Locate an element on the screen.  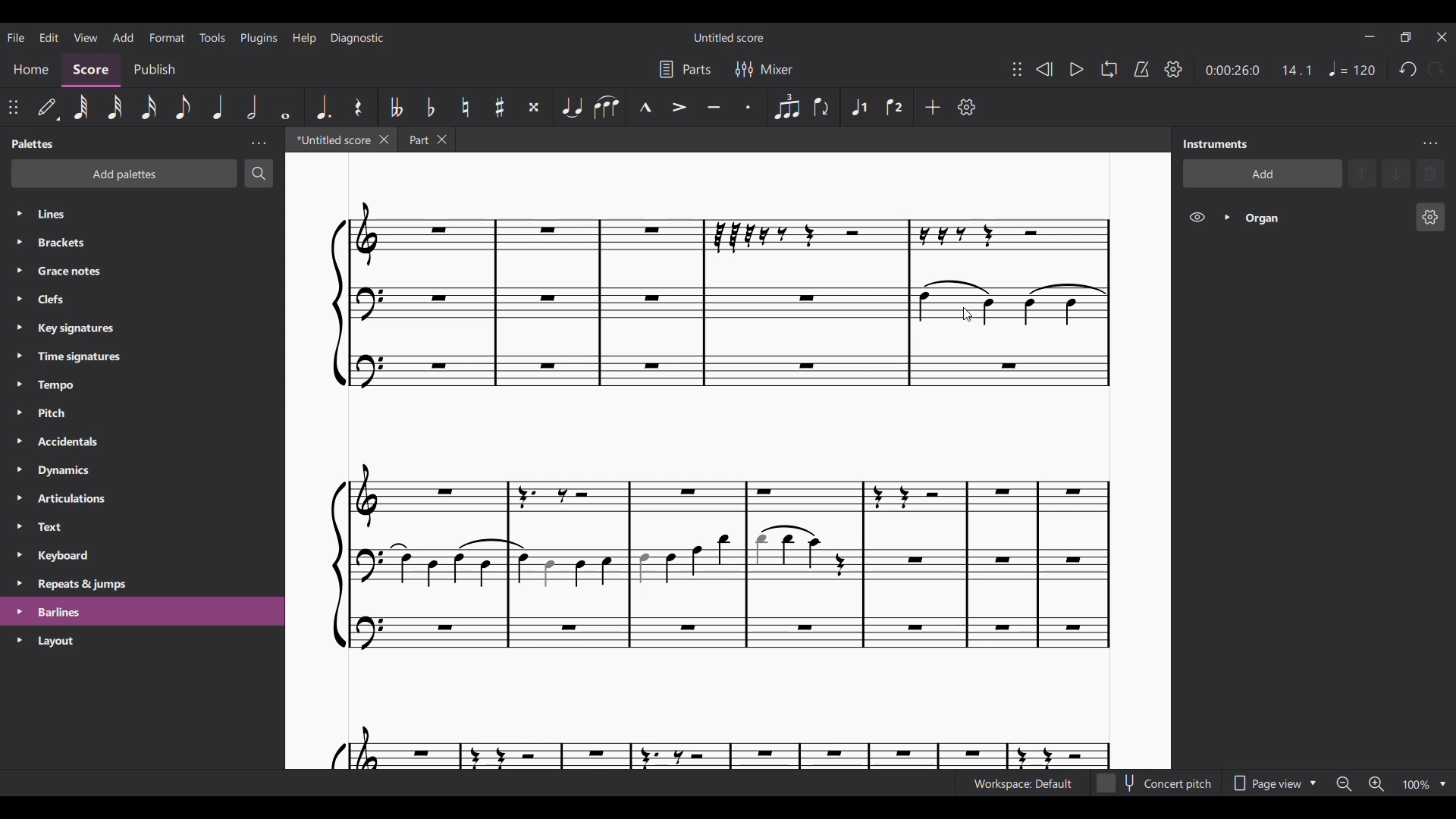
Half note is located at coordinates (253, 108).